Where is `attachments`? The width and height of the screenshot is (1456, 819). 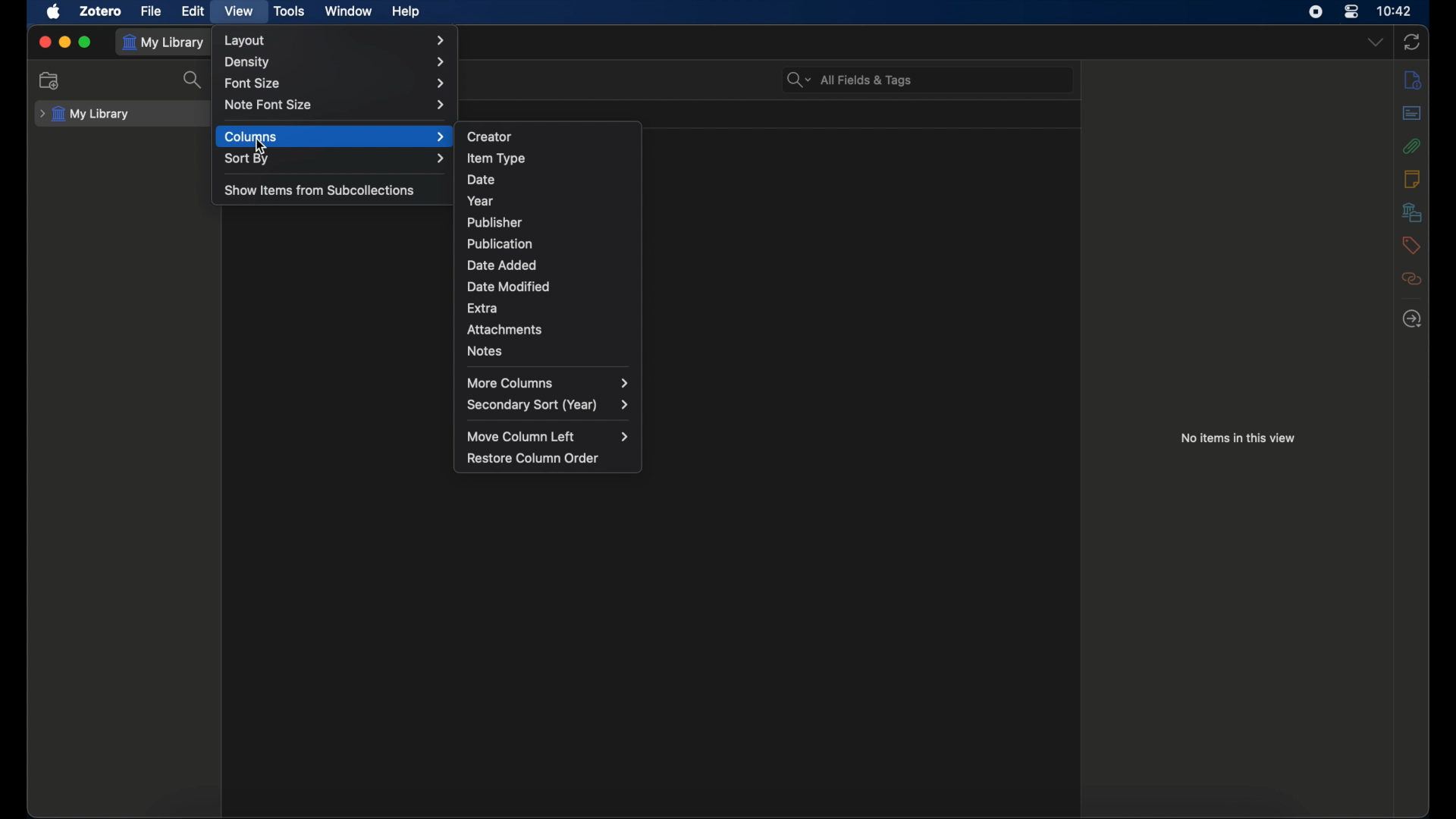
attachments is located at coordinates (504, 330).